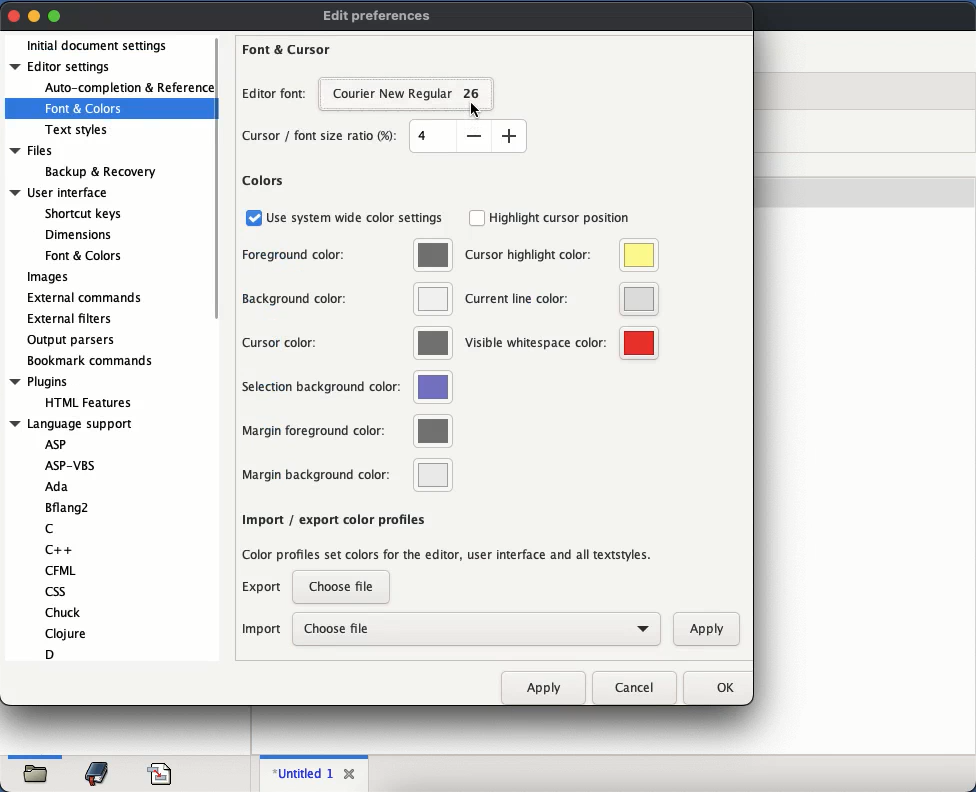  Describe the element at coordinates (720, 689) in the screenshot. I see `ok` at that location.